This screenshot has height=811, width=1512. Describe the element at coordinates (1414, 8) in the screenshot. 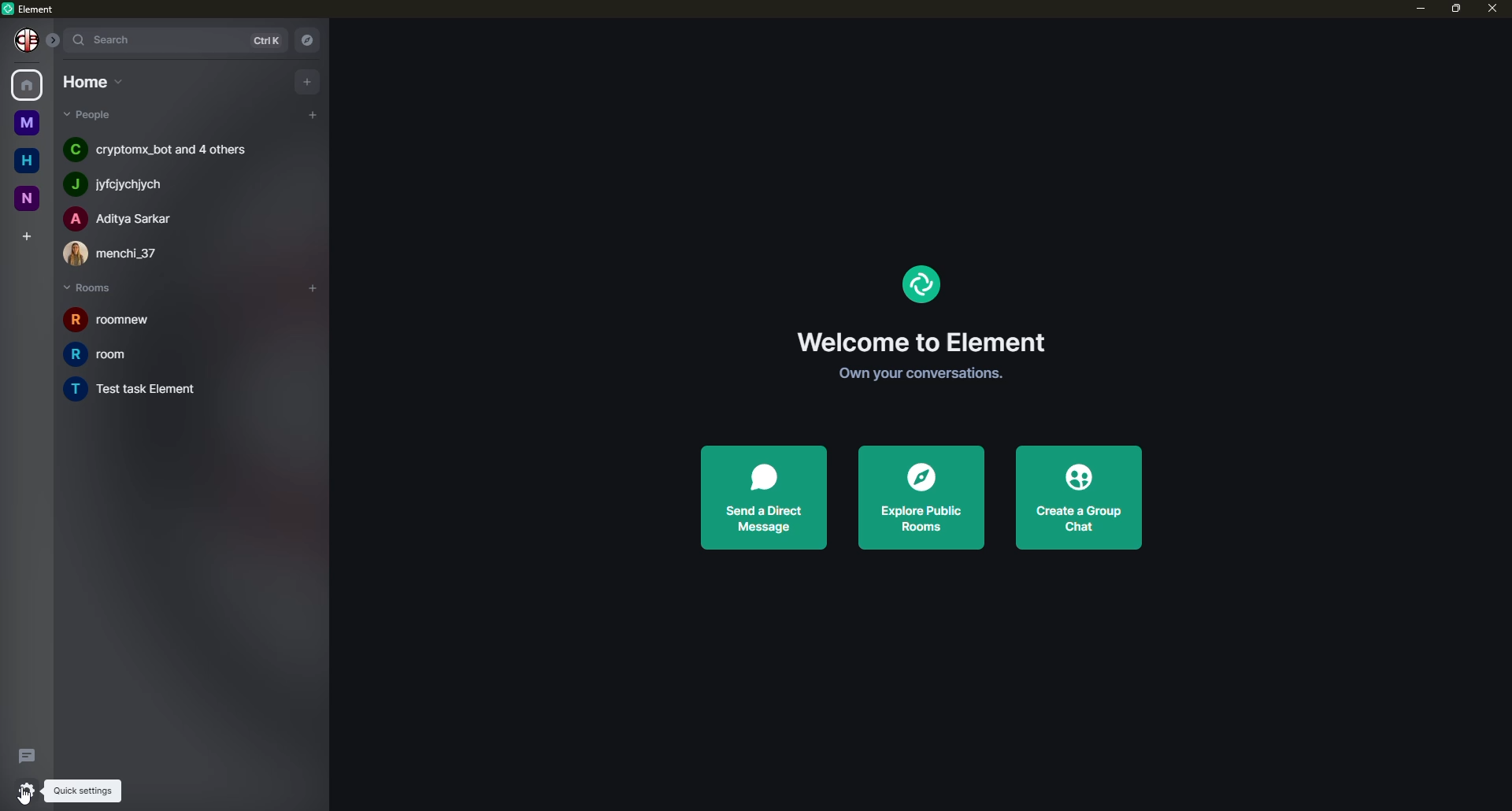

I see `minimize` at that location.